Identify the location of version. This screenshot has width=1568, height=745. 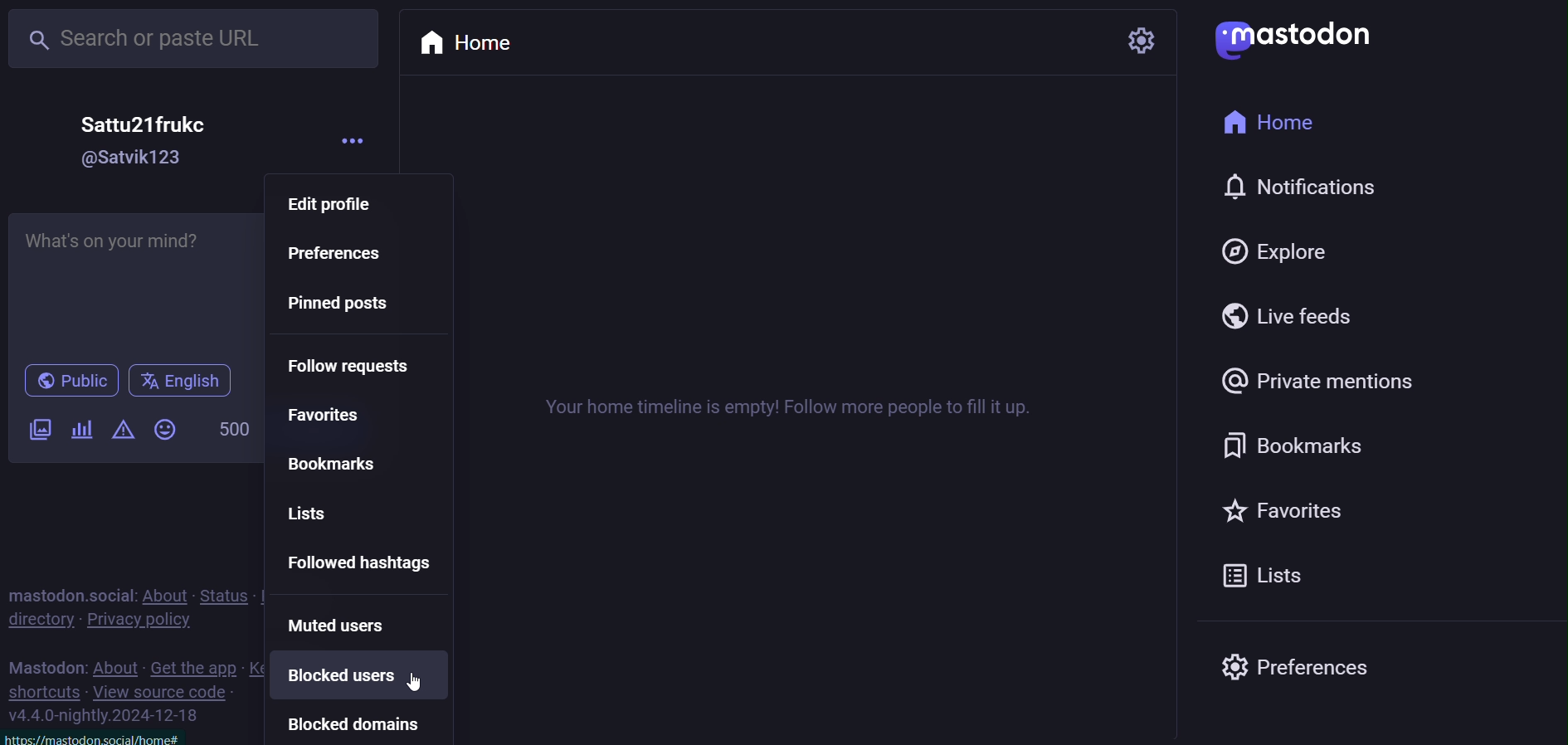
(115, 716).